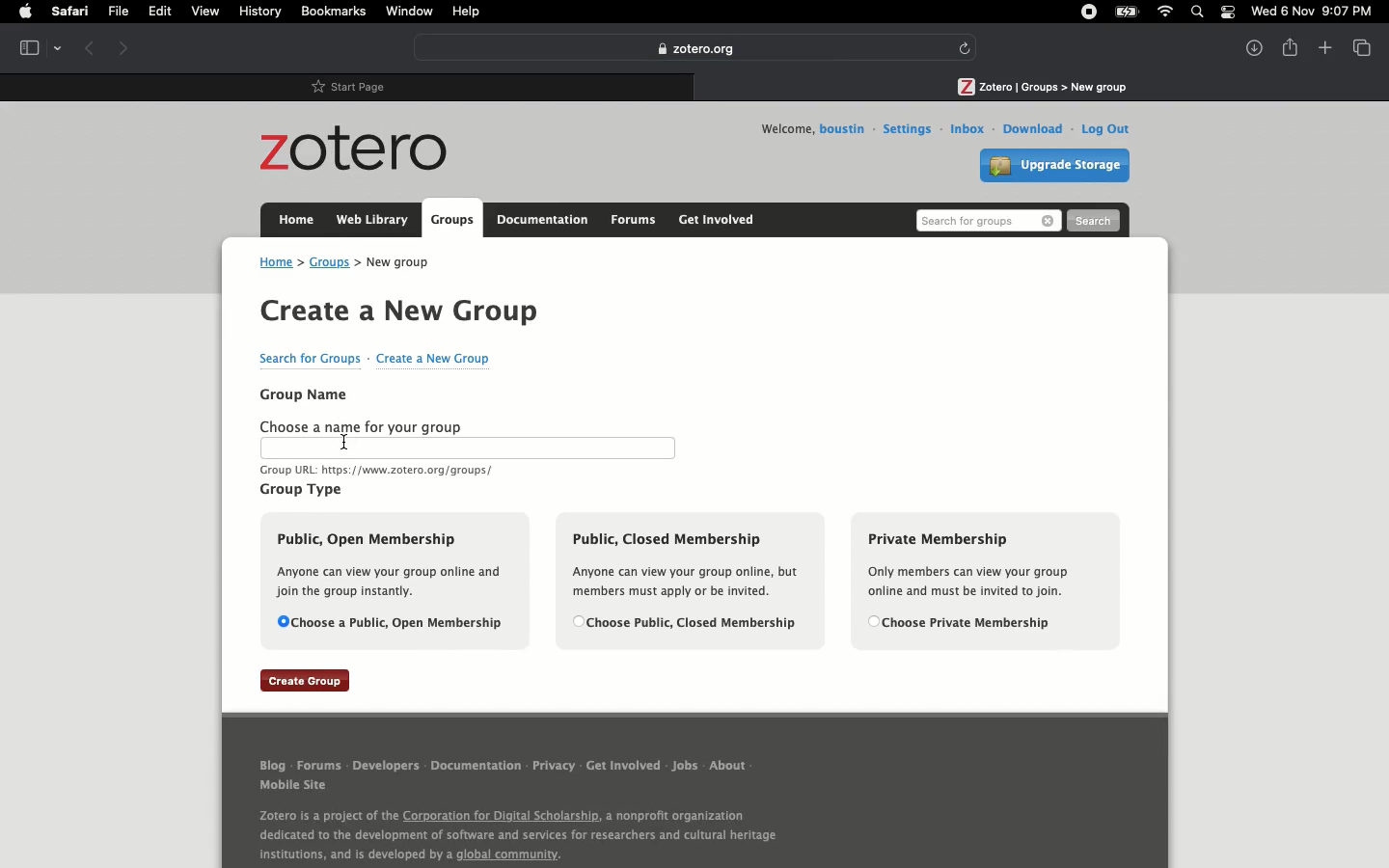  I want to click on Create a new group, so click(399, 313).